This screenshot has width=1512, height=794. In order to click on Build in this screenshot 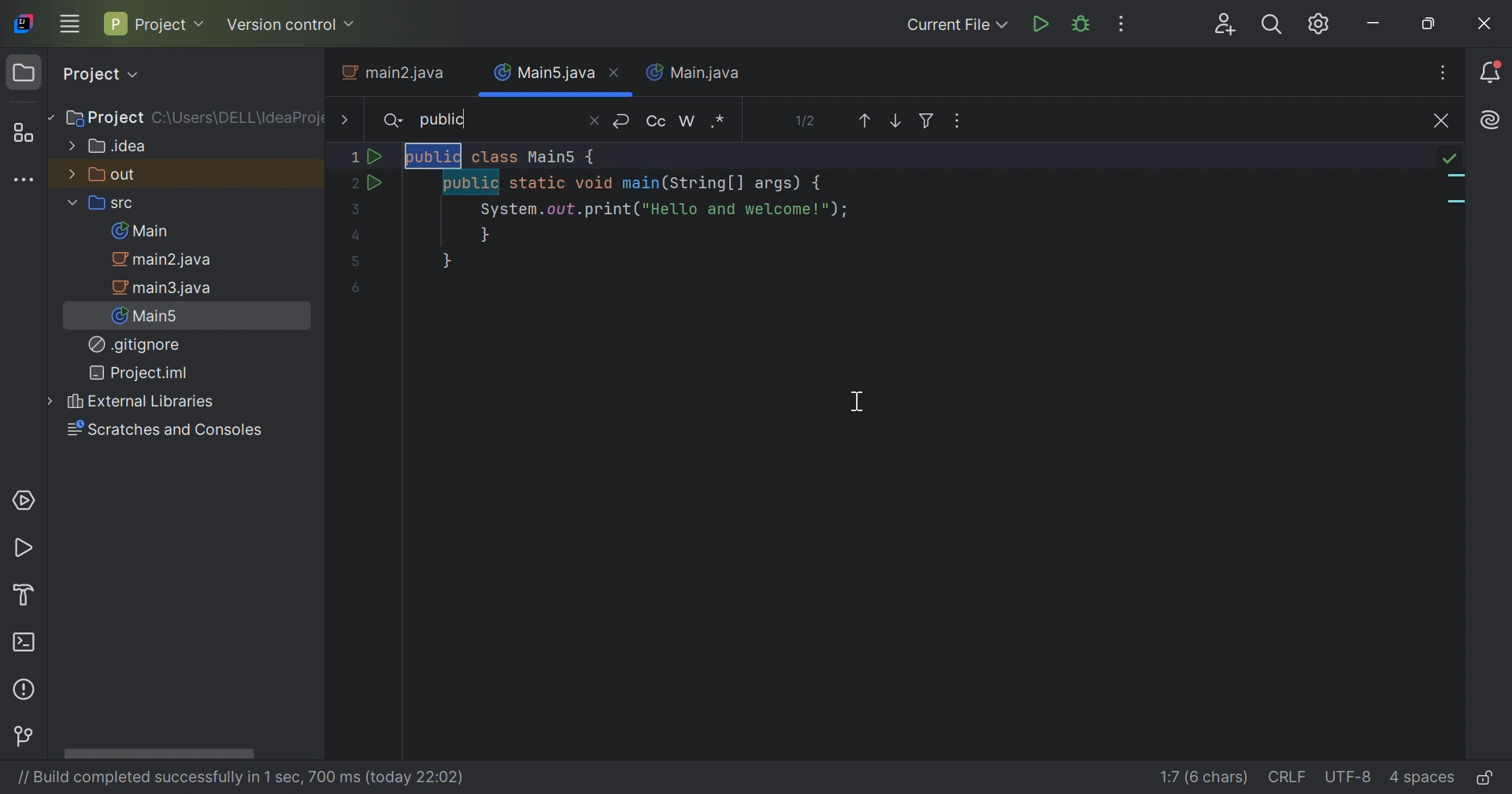, I will do `click(31, 593)`.